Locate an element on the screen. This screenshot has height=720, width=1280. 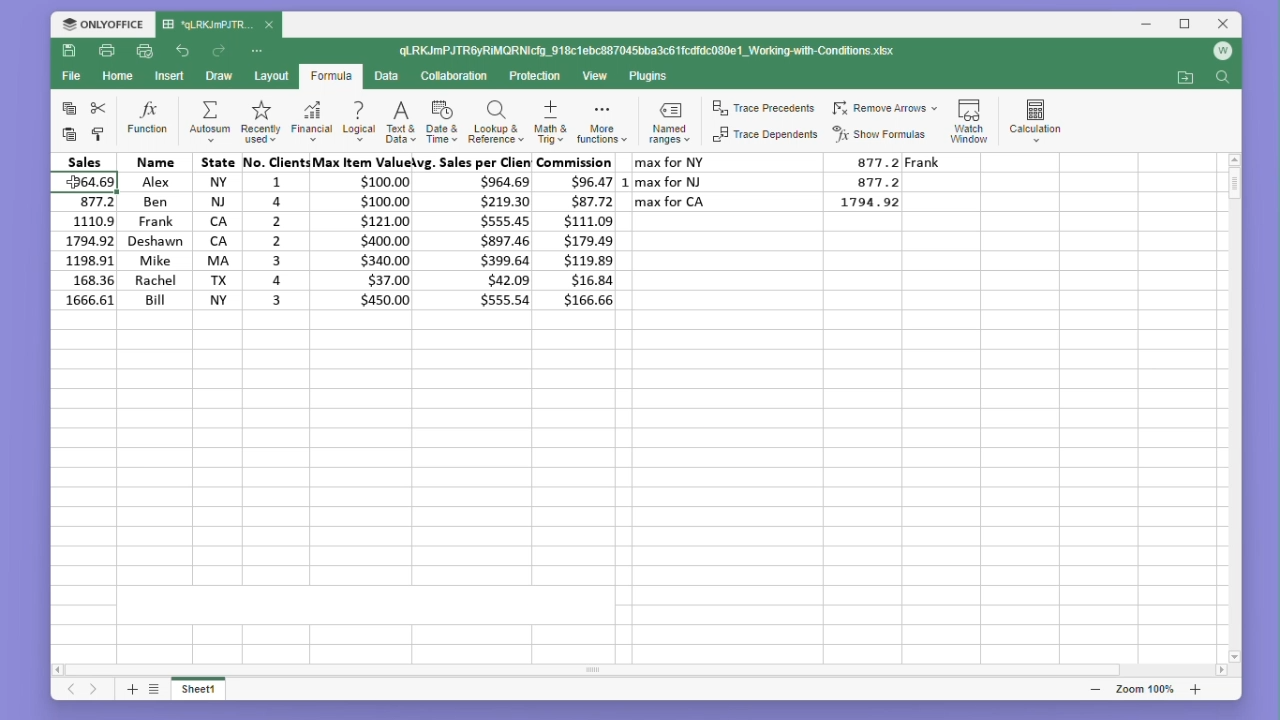
Logical is located at coordinates (358, 120).